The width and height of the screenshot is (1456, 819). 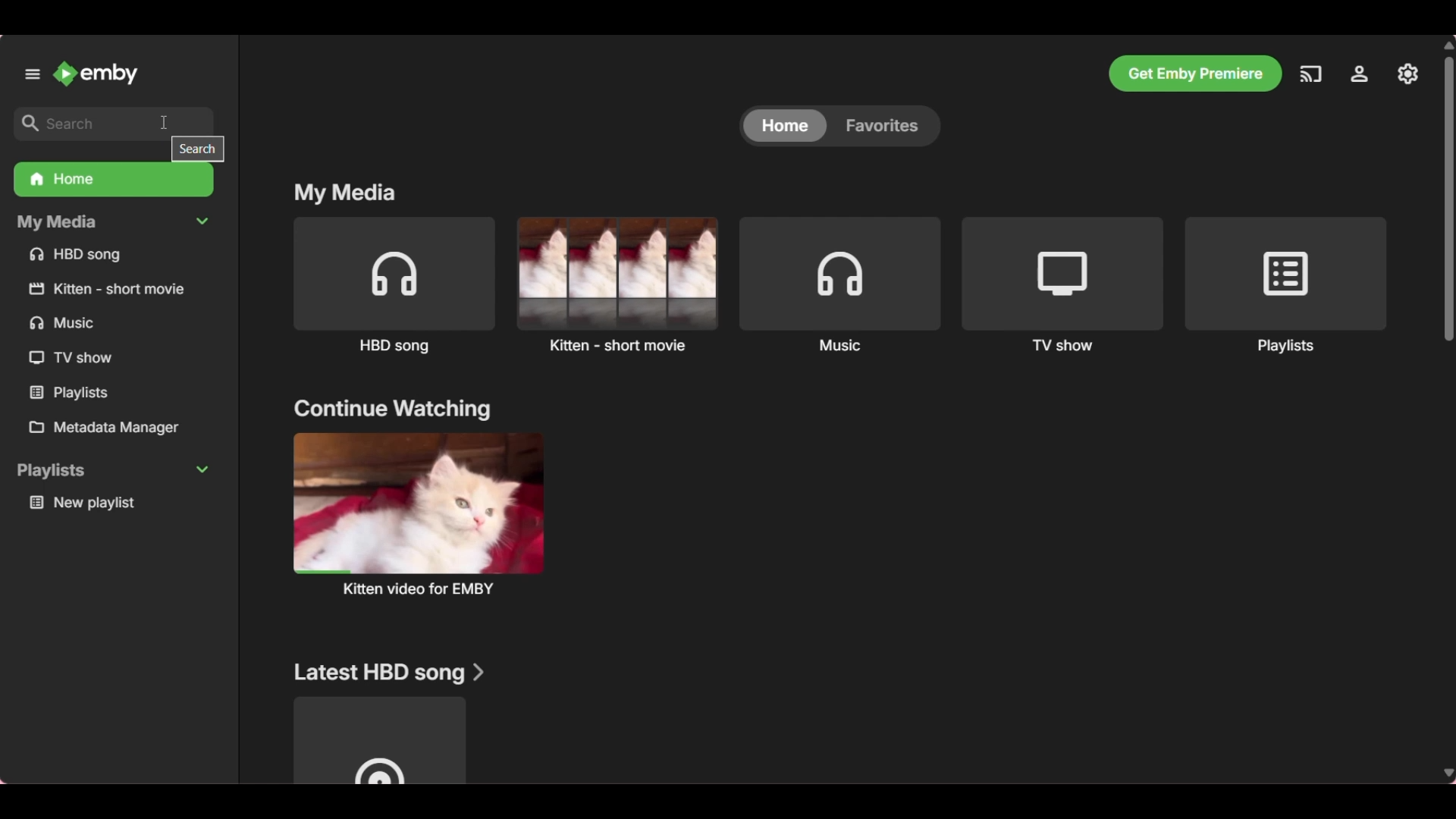 What do you see at coordinates (617, 284) in the screenshot?
I see `Kitten short movie` at bounding box center [617, 284].